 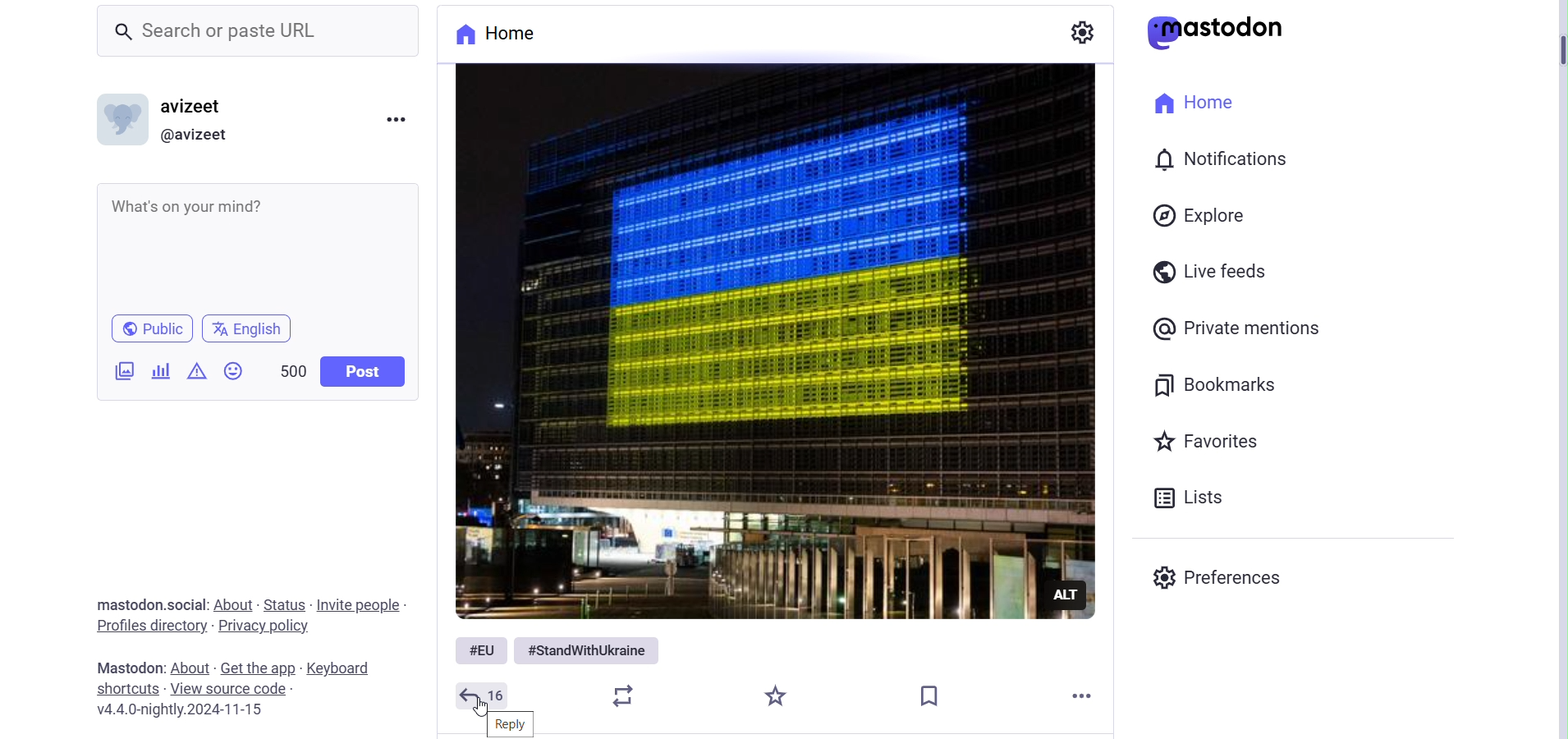 What do you see at coordinates (1084, 32) in the screenshot?
I see `Settings` at bounding box center [1084, 32].